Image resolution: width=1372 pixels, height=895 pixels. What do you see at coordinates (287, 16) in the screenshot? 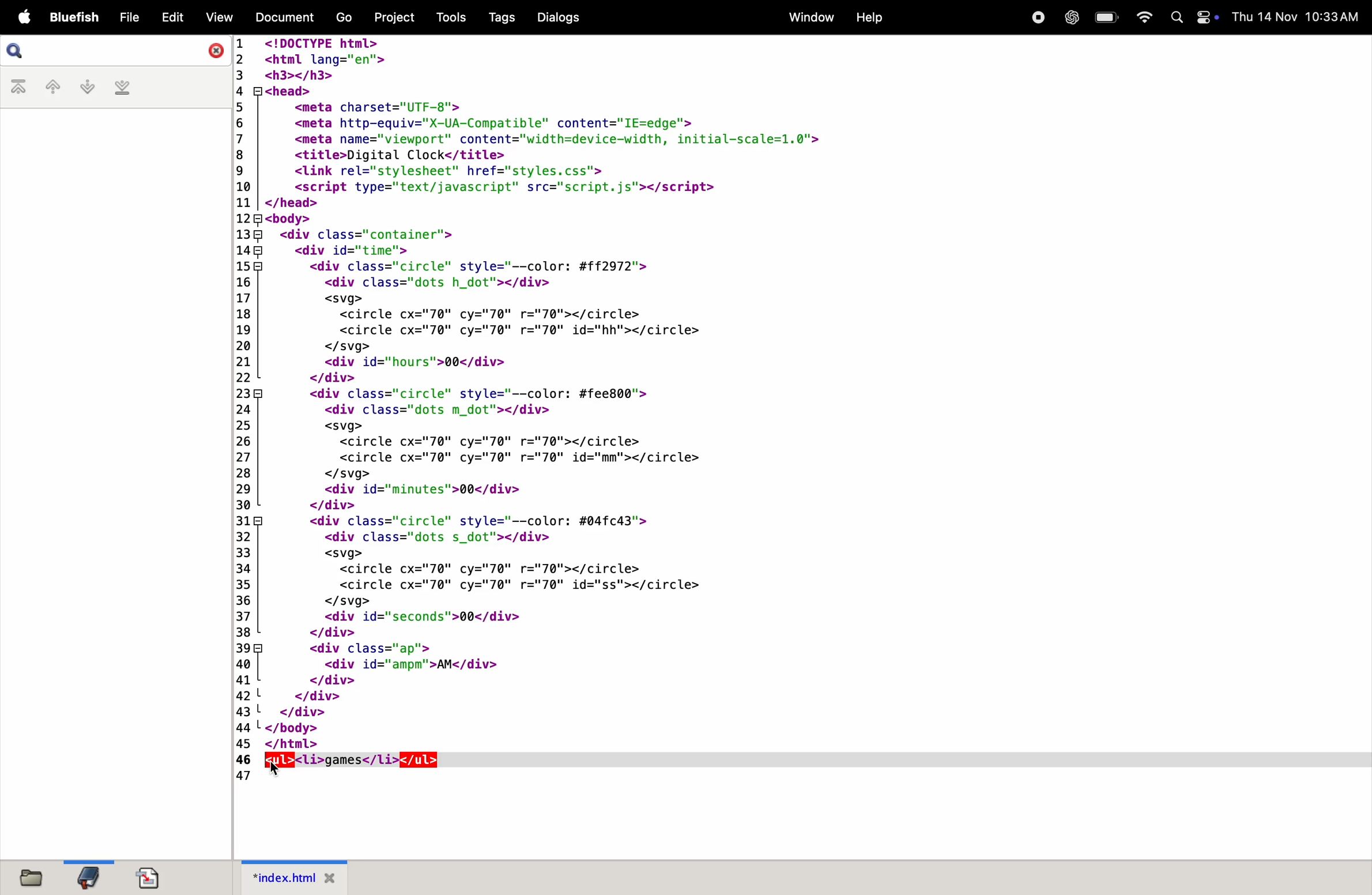
I see `Document` at bounding box center [287, 16].